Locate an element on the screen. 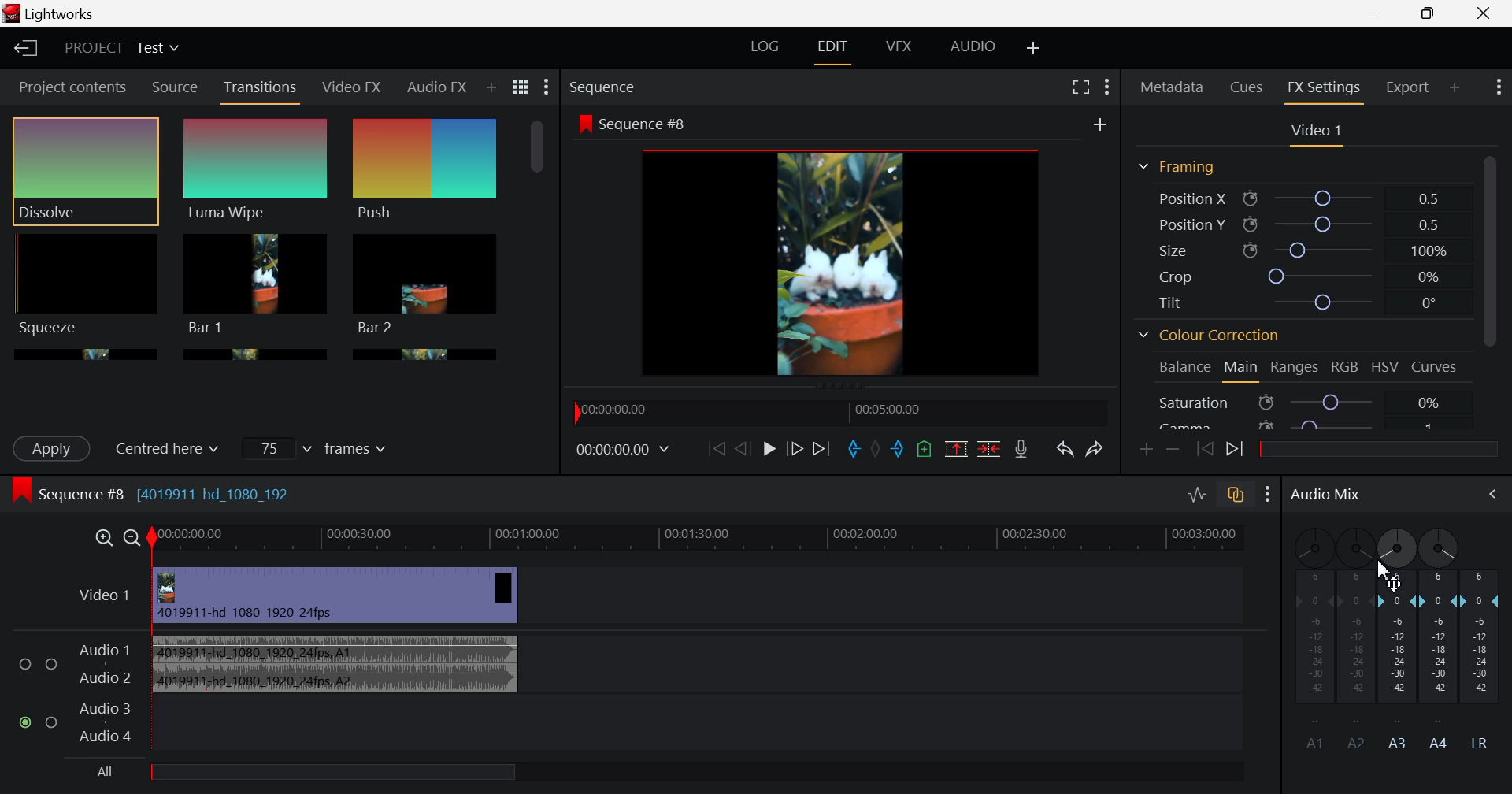 Image resolution: width=1512 pixels, height=794 pixels. Cursor on Audio Mix is located at coordinates (1484, 495).